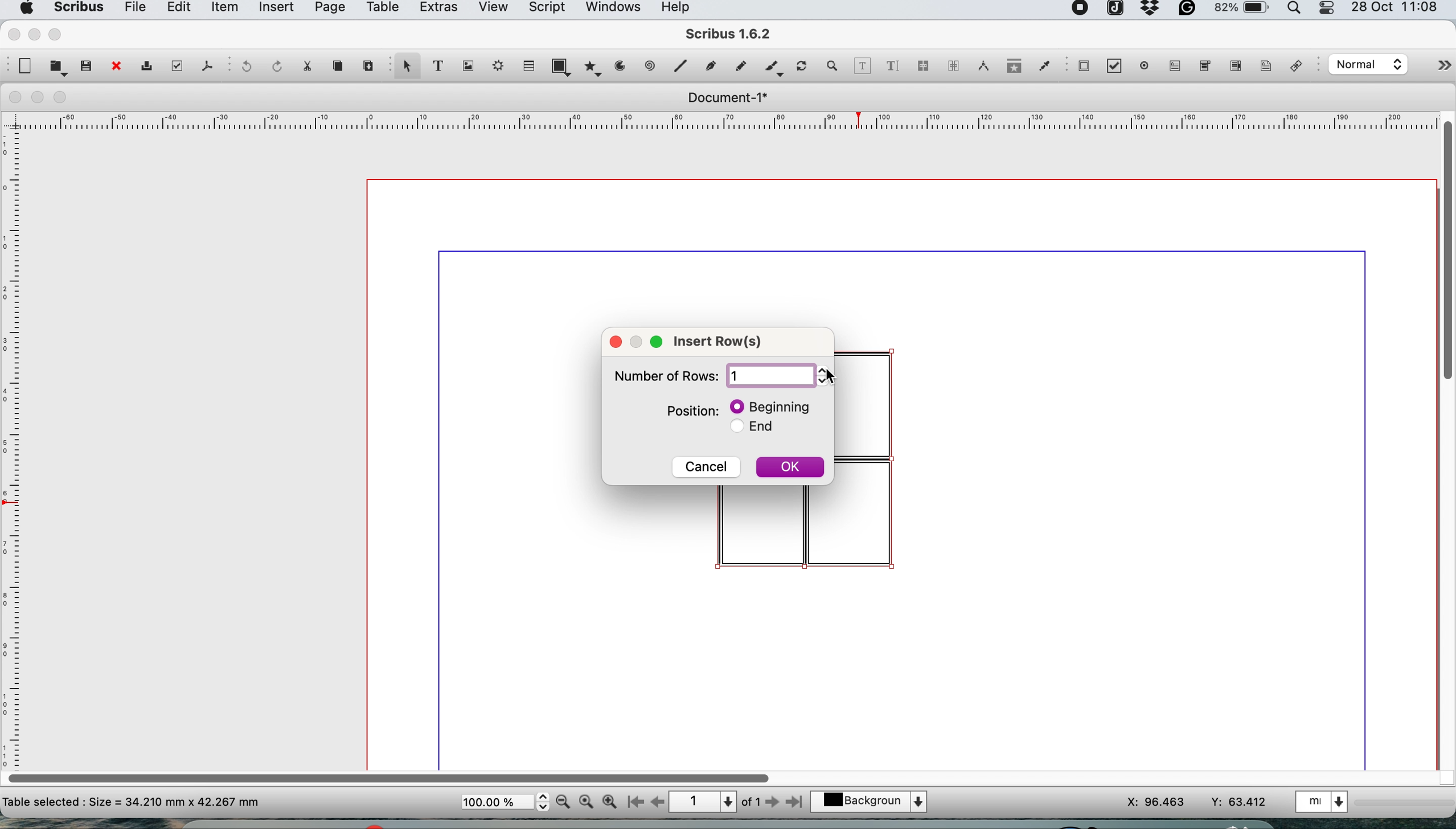 This screenshot has width=1456, height=829. I want to click on script, so click(545, 9).